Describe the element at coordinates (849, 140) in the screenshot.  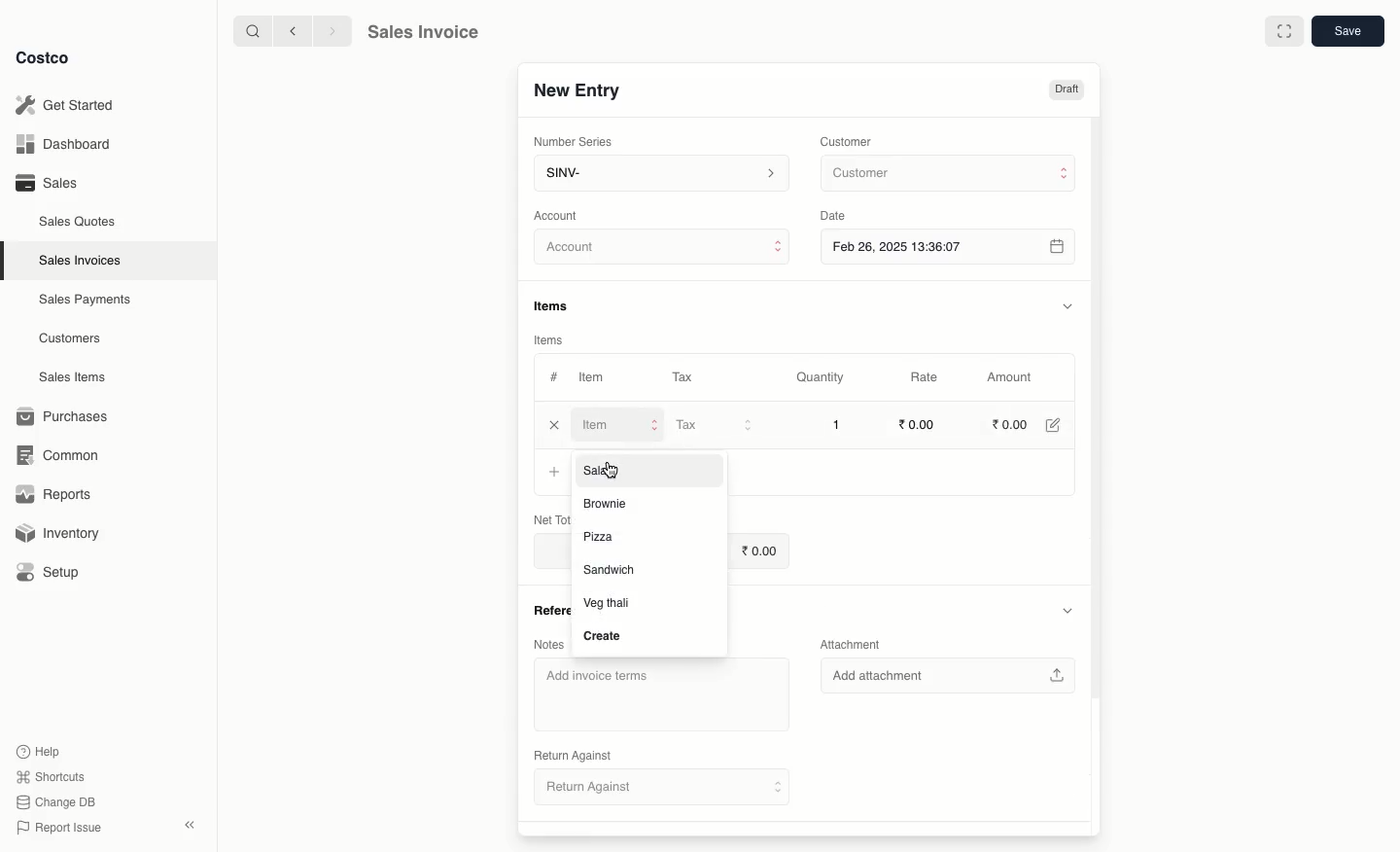
I see `Customer` at that location.